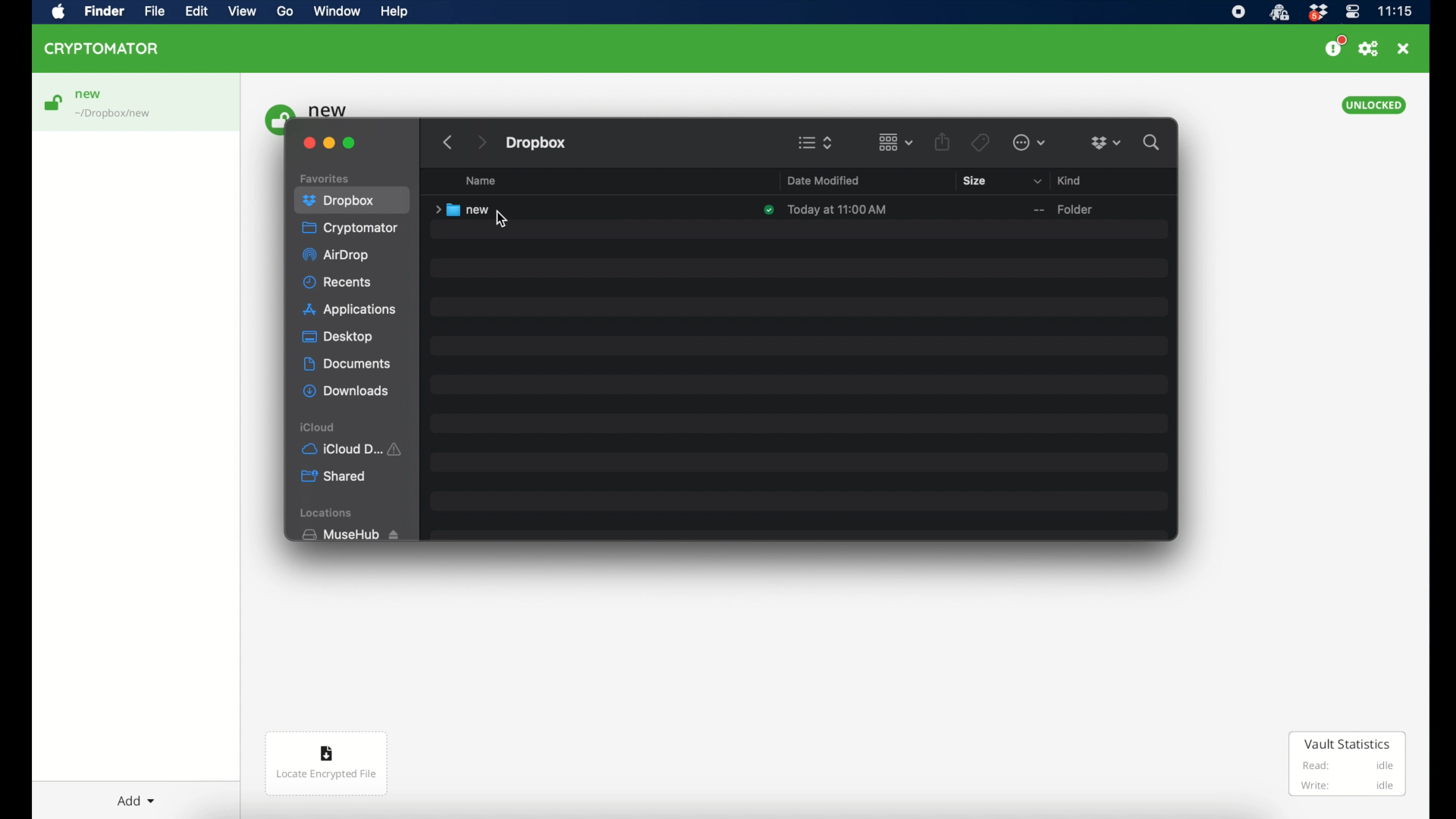 This screenshot has width=1456, height=819. Describe the element at coordinates (1152, 143) in the screenshot. I see `search` at that location.